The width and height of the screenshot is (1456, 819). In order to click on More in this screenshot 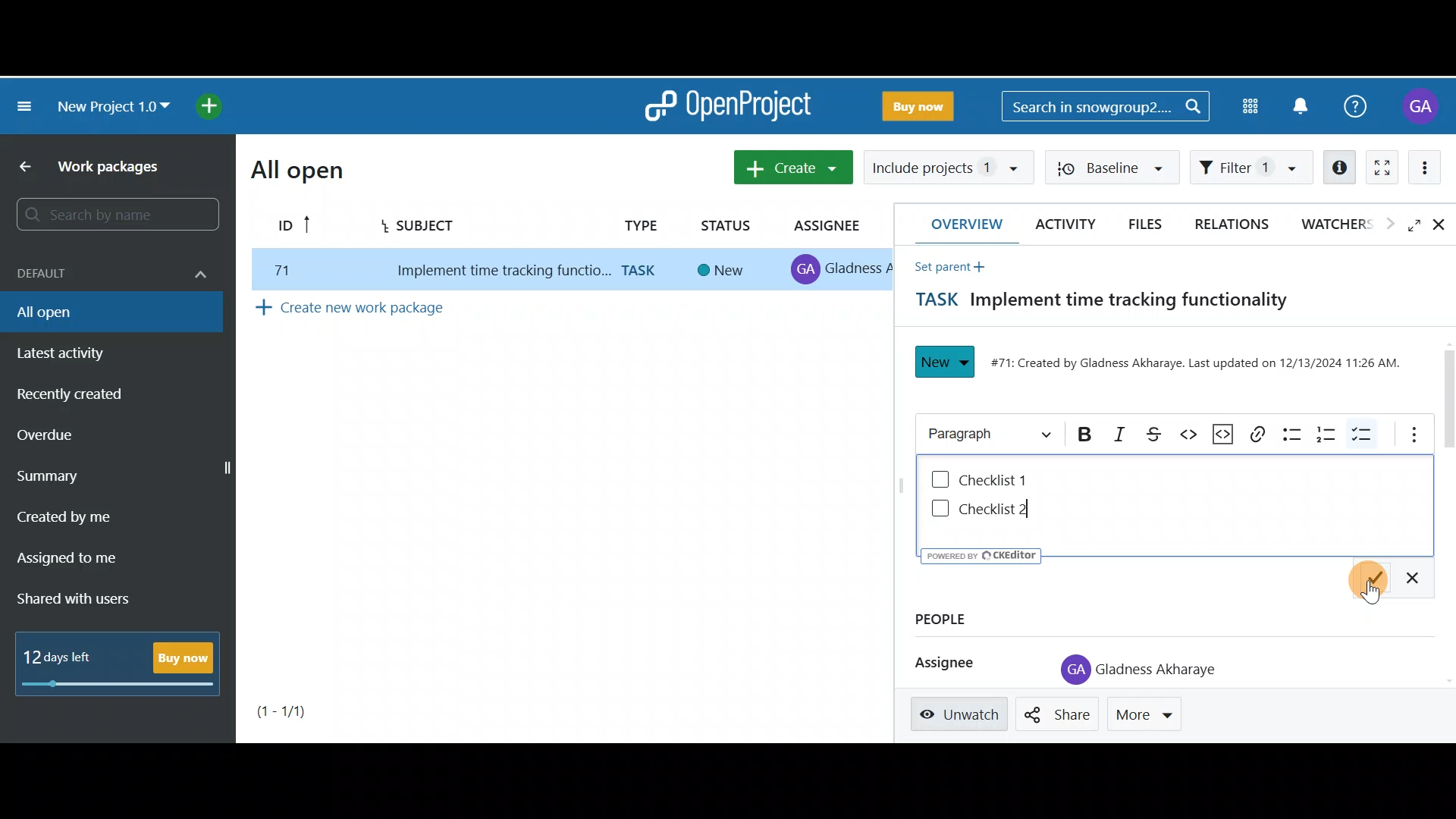, I will do `click(1150, 711)`.